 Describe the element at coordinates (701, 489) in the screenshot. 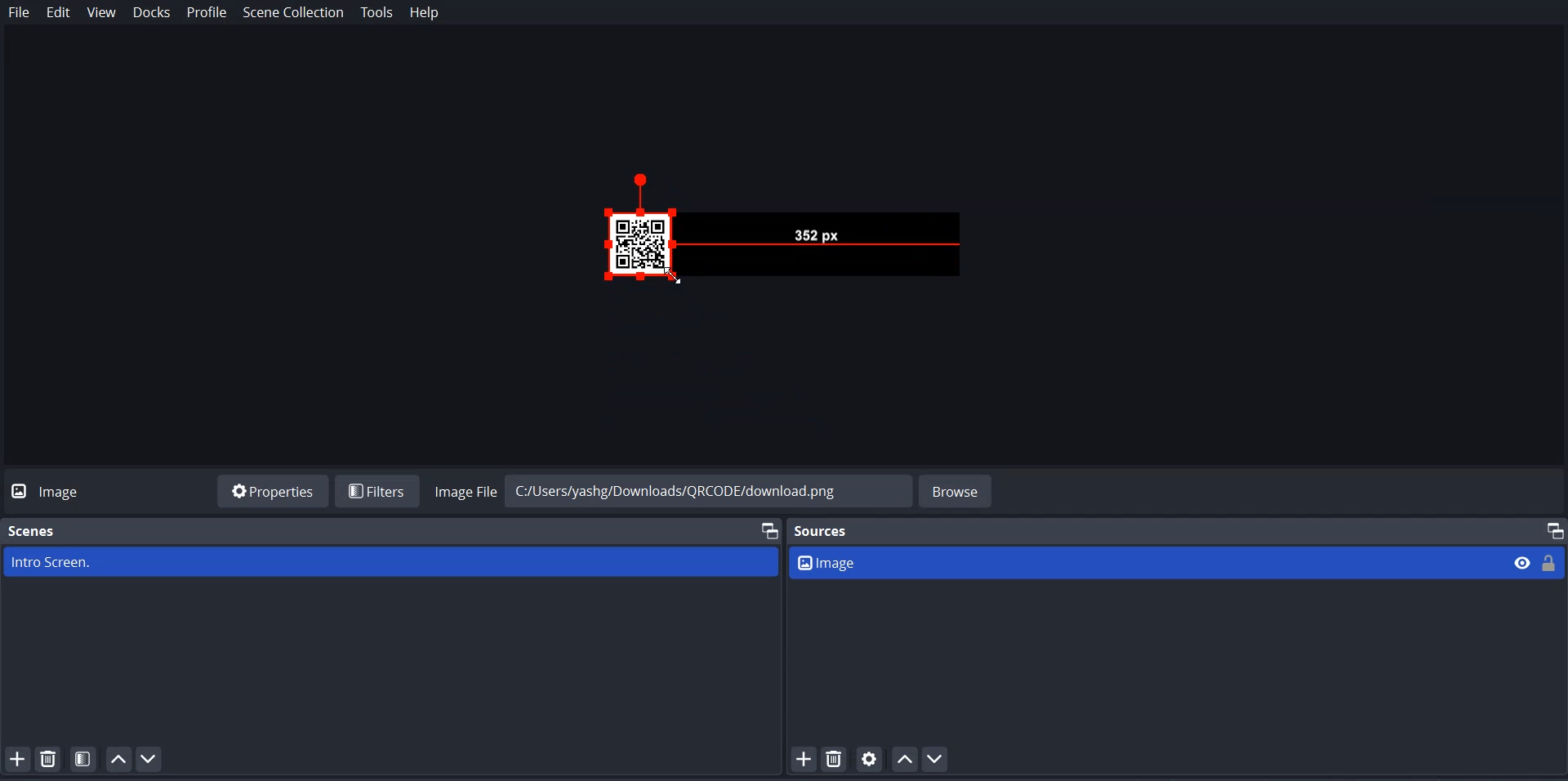

I see `C:/Users/yashg/Downloads/QRCODE/download.png` at that location.